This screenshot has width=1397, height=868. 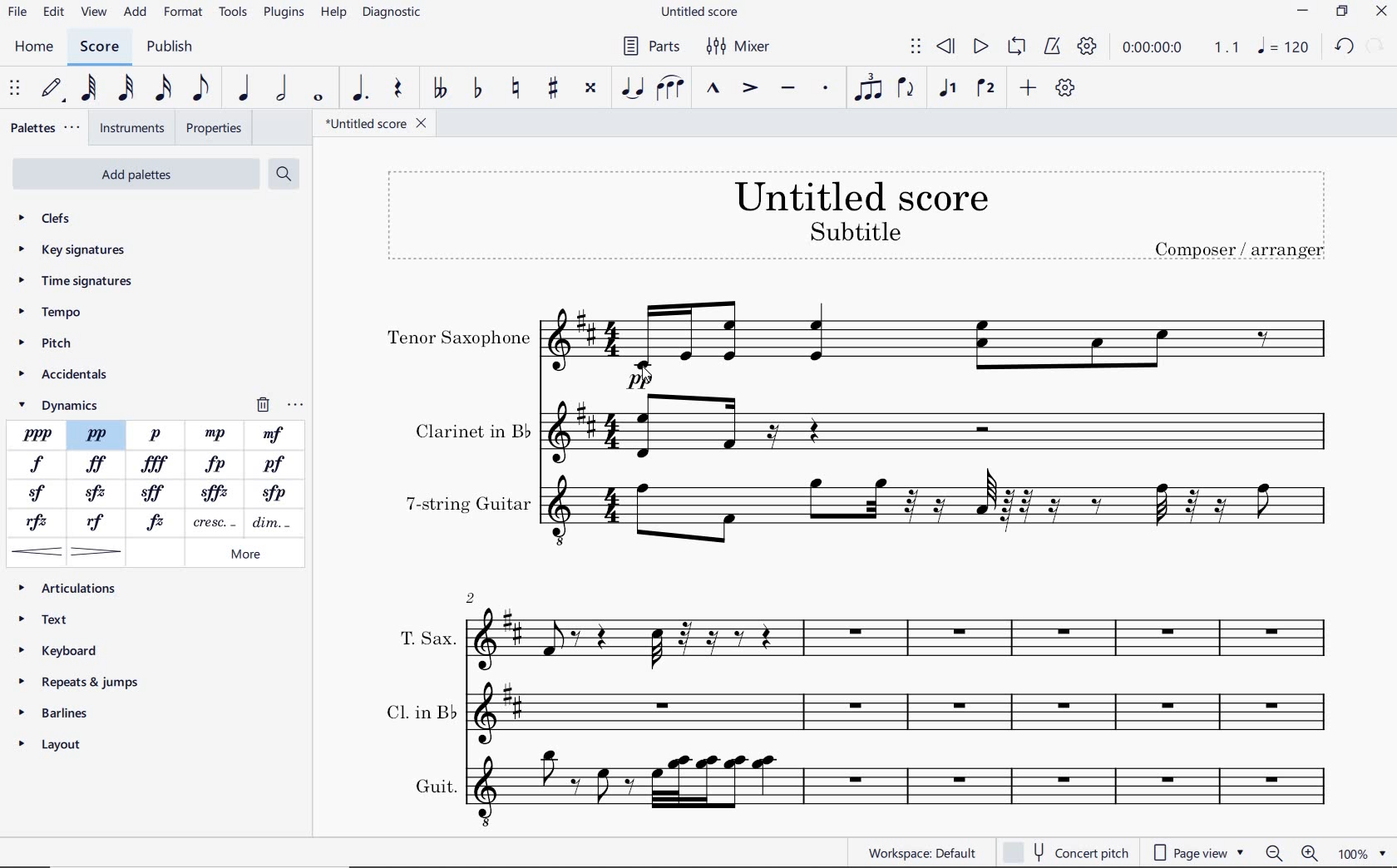 I want to click on P (PIANO), so click(x=156, y=435).